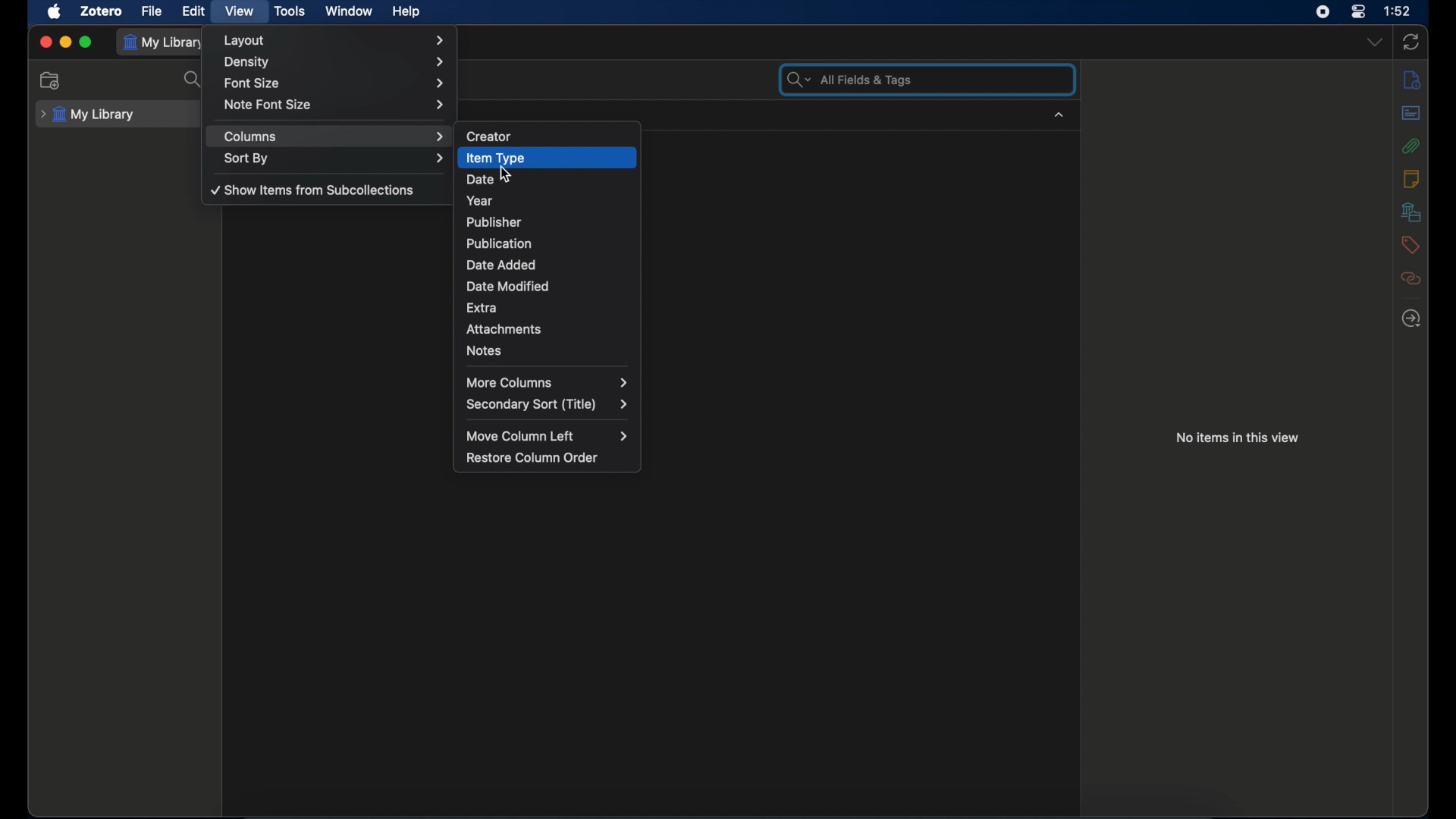 Image resolution: width=1456 pixels, height=819 pixels. Describe the element at coordinates (551, 437) in the screenshot. I see `move column left menu` at that location.